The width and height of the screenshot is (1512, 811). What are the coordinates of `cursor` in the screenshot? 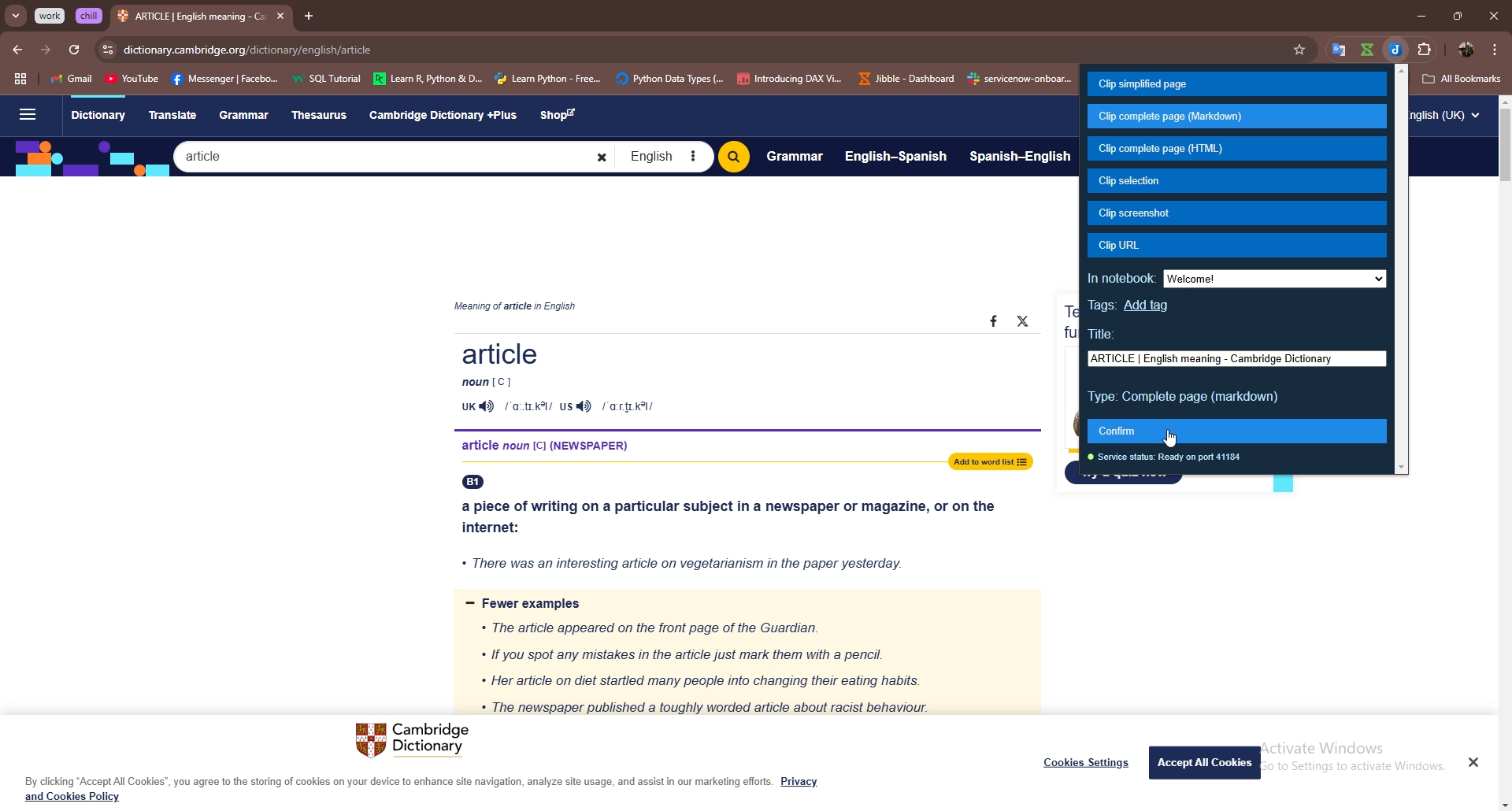 It's located at (1172, 440).